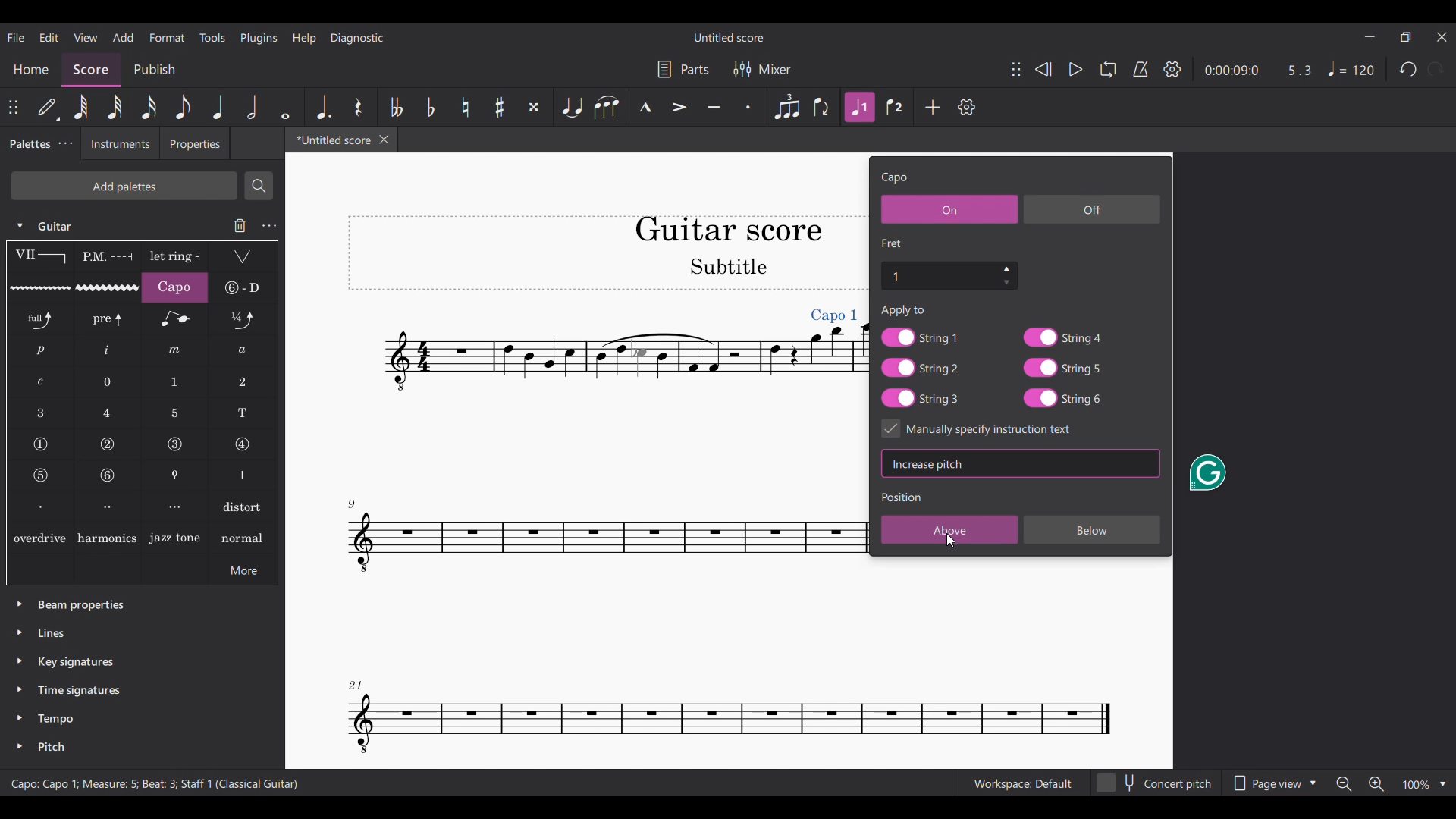  I want to click on Score title, so click(728, 38).